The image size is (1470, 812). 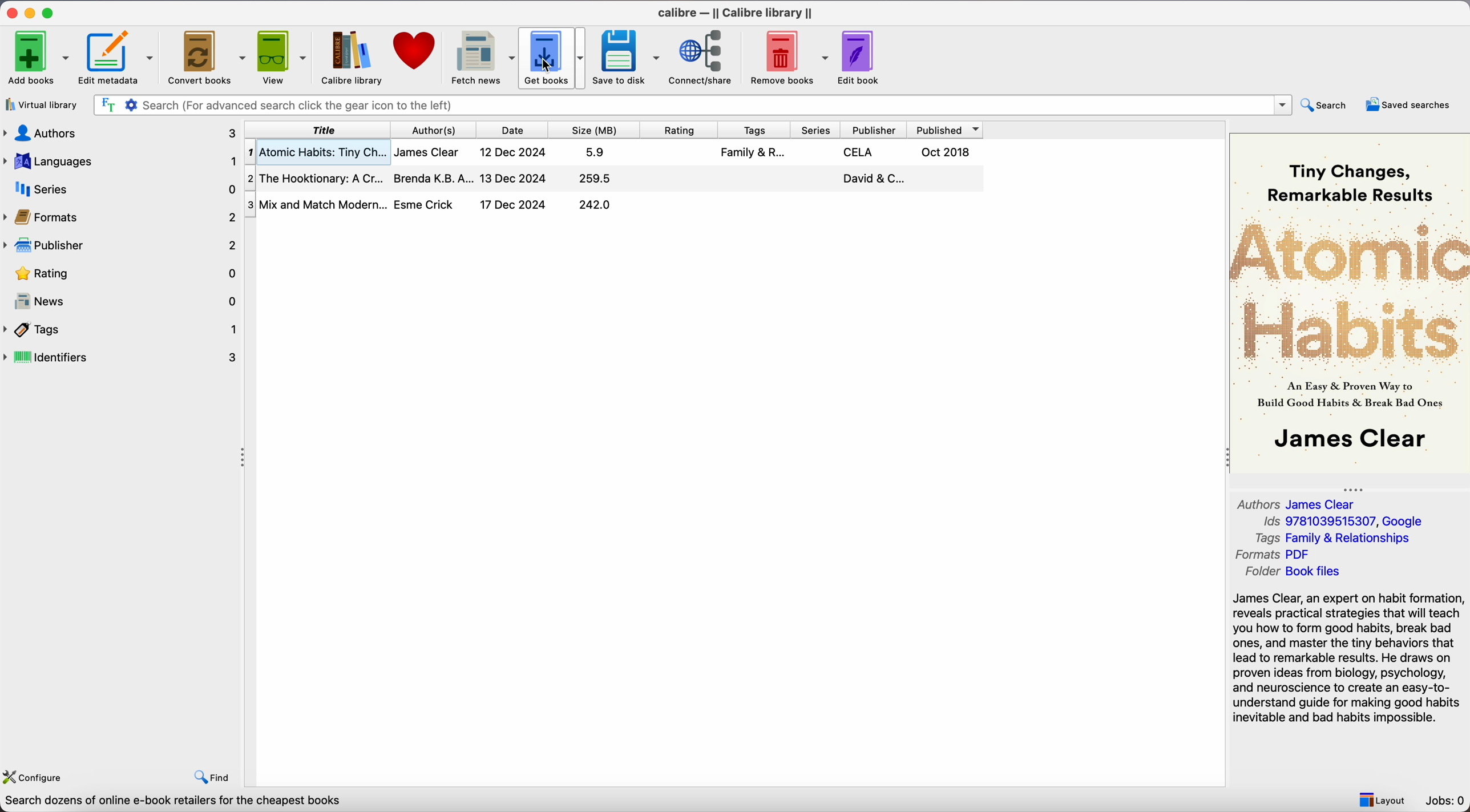 I want to click on authors, so click(x=439, y=130).